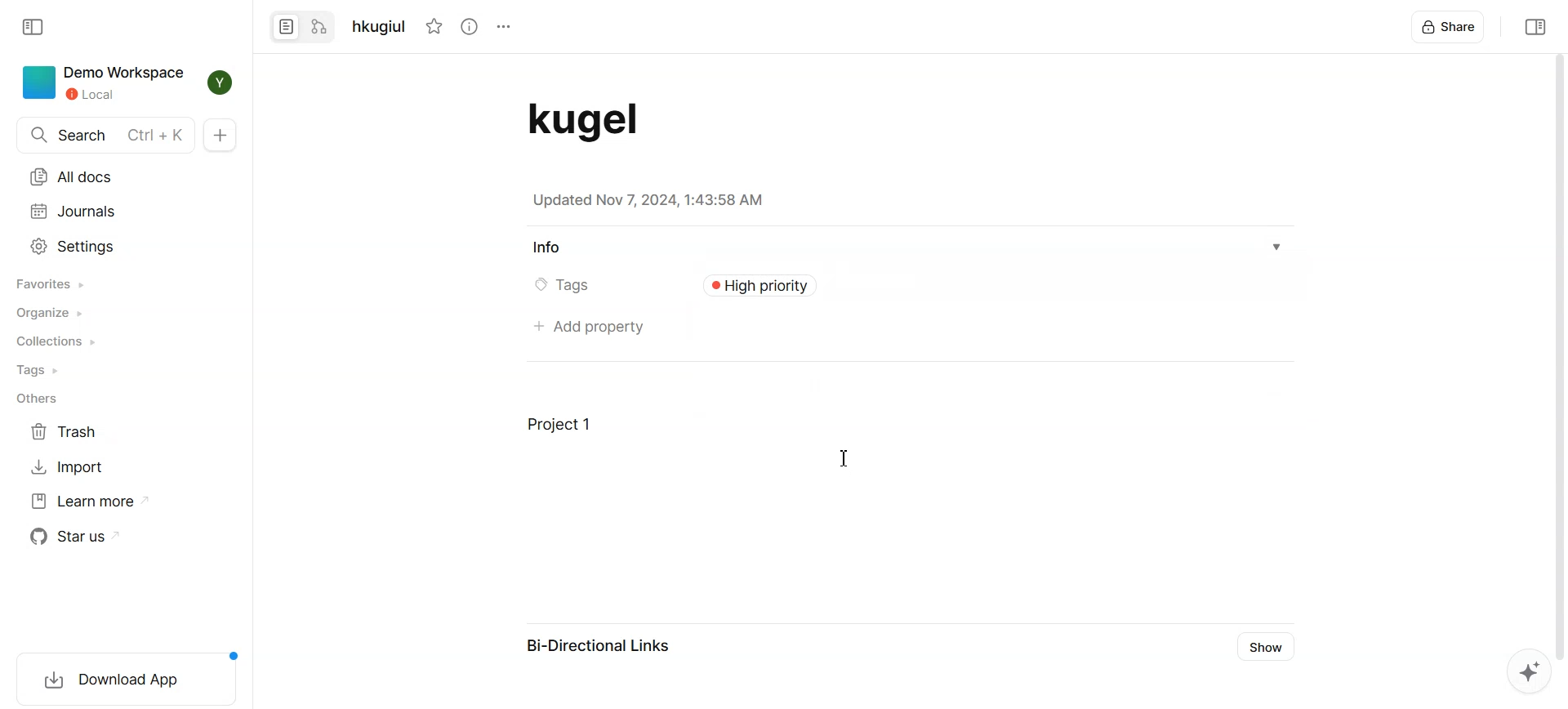 The image size is (1568, 709). What do you see at coordinates (220, 134) in the screenshot?
I see `New doc` at bounding box center [220, 134].